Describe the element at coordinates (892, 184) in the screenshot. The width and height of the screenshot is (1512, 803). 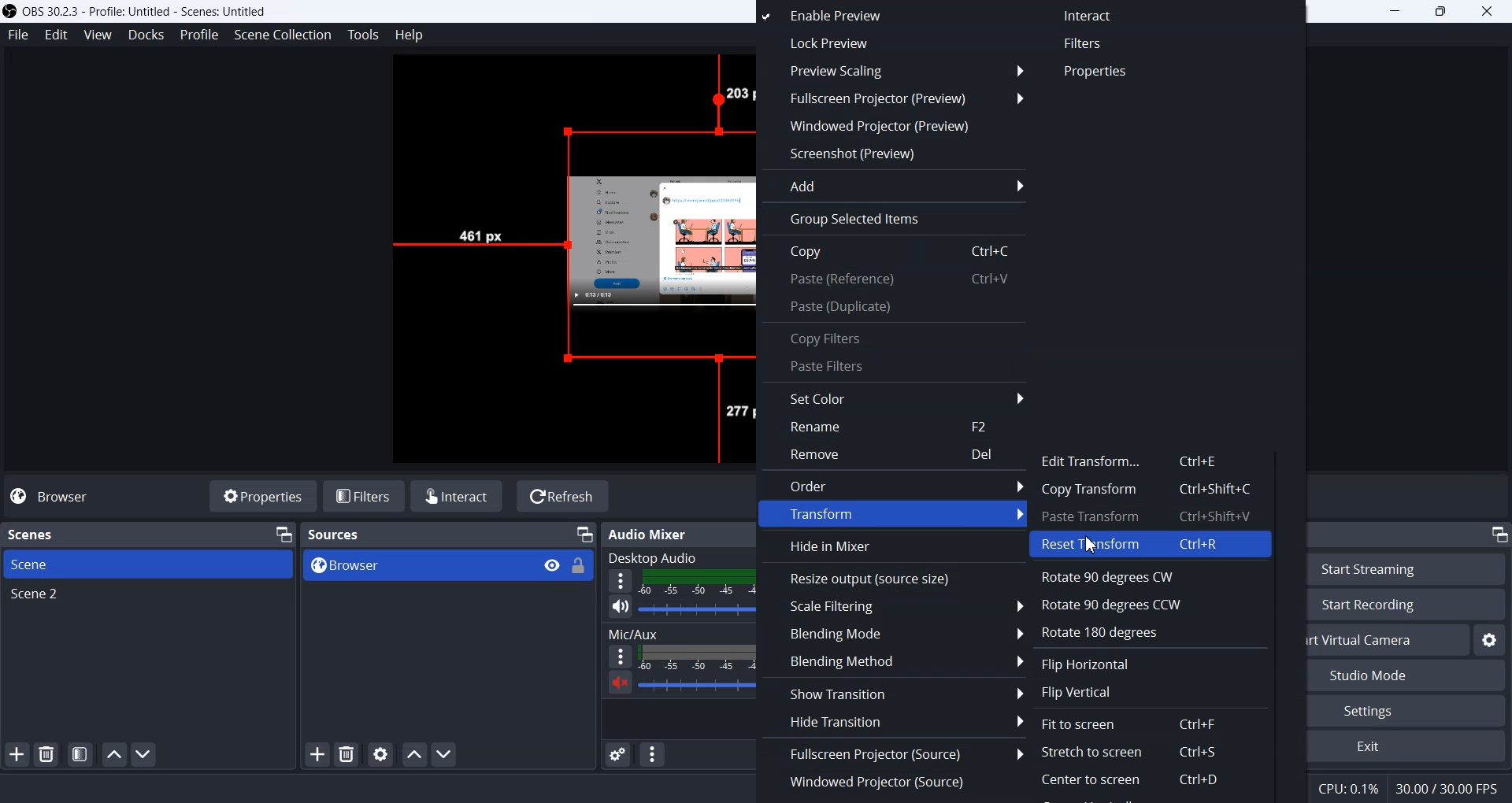
I see `Add` at that location.